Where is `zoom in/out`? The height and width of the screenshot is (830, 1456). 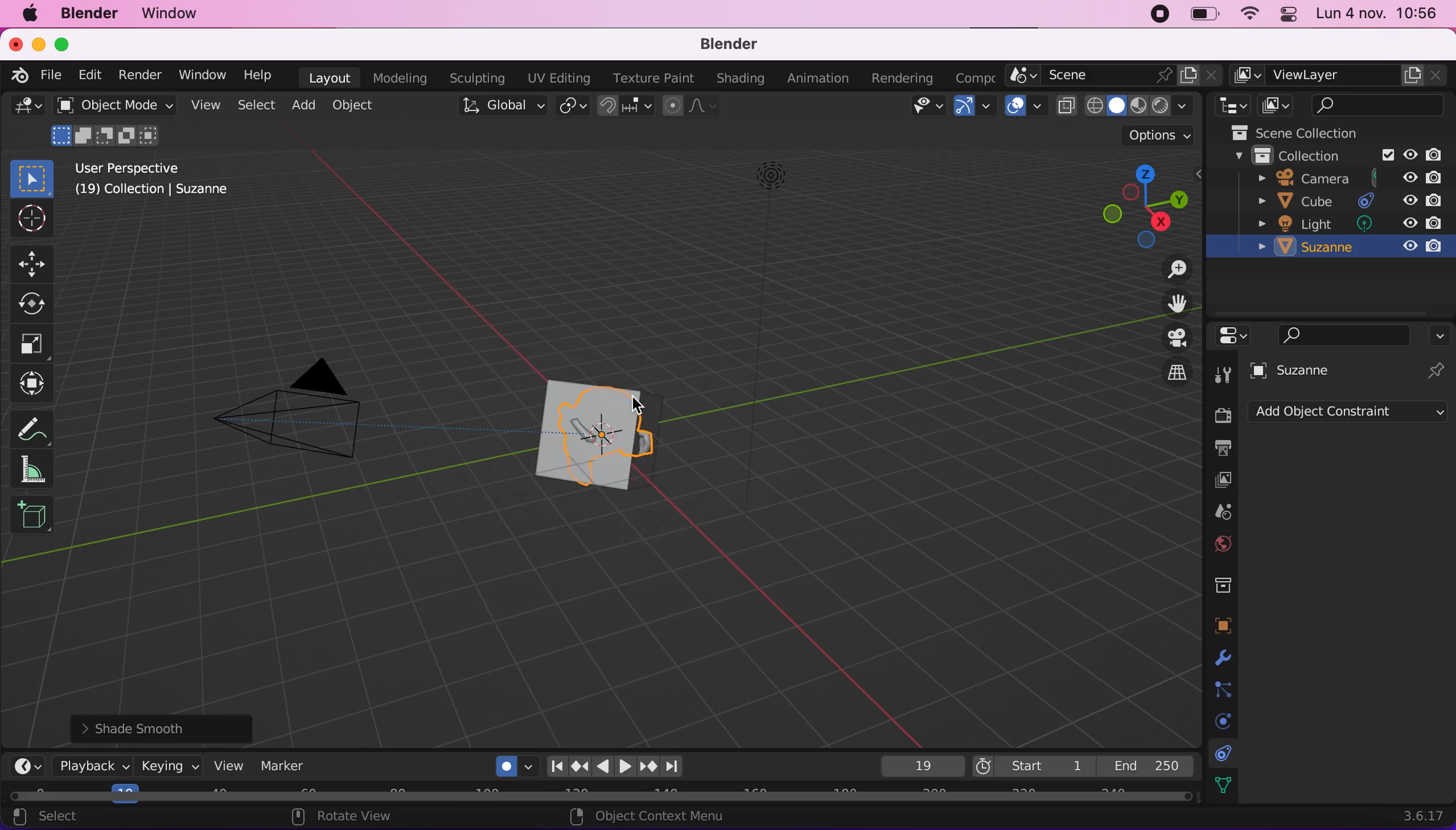 zoom in/out is located at coordinates (1172, 268).